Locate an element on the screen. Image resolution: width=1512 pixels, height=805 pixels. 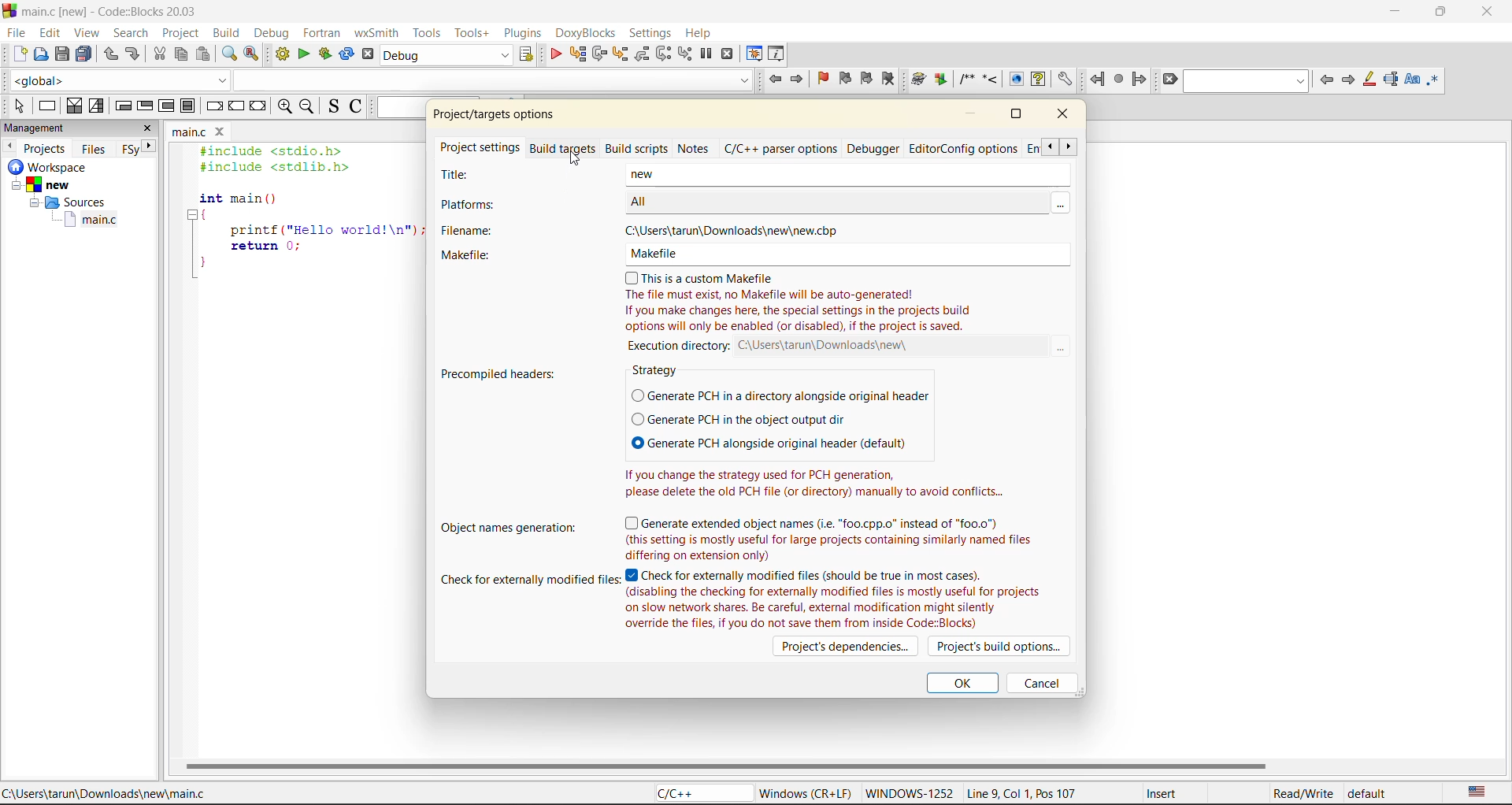
project settings is located at coordinates (482, 147).